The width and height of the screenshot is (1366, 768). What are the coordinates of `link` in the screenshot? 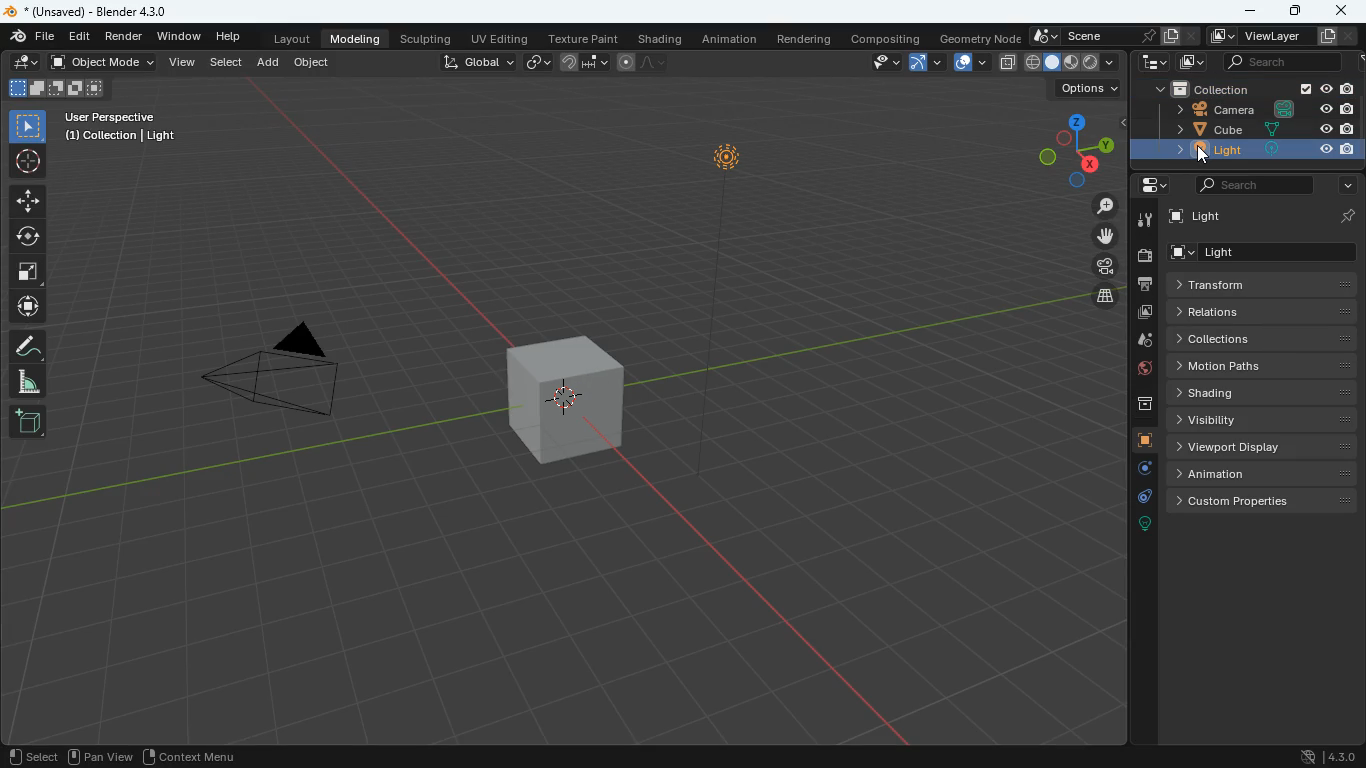 It's located at (540, 63).